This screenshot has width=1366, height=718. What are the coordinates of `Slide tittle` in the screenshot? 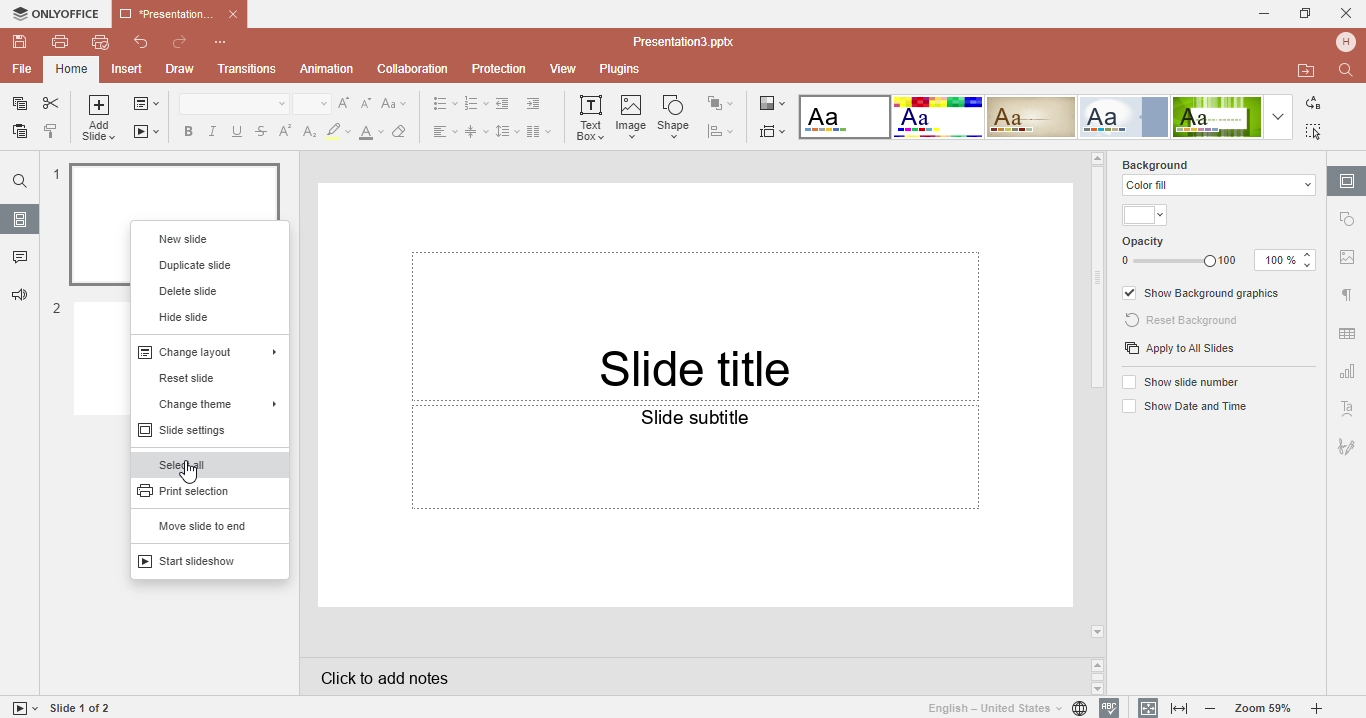 It's located at (697, 293).